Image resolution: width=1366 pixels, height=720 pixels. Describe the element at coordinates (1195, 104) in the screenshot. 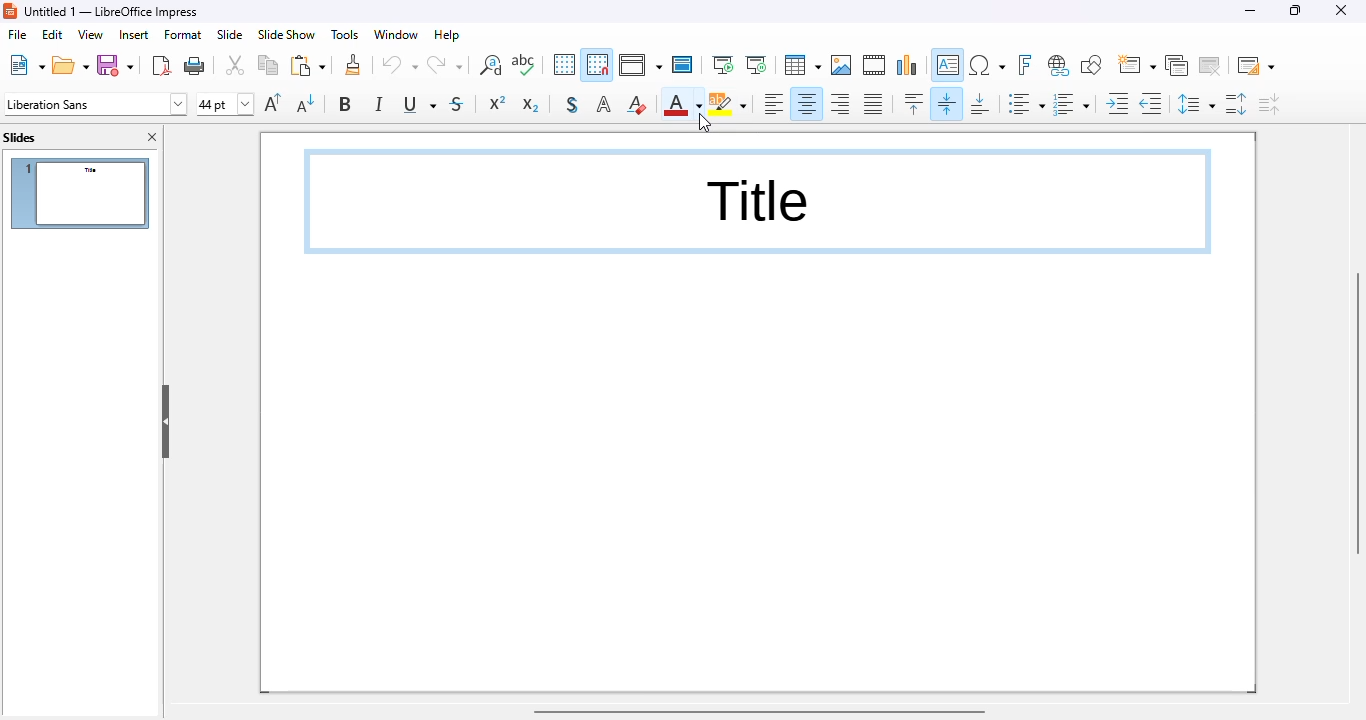

I see `set line spacing` at that location.